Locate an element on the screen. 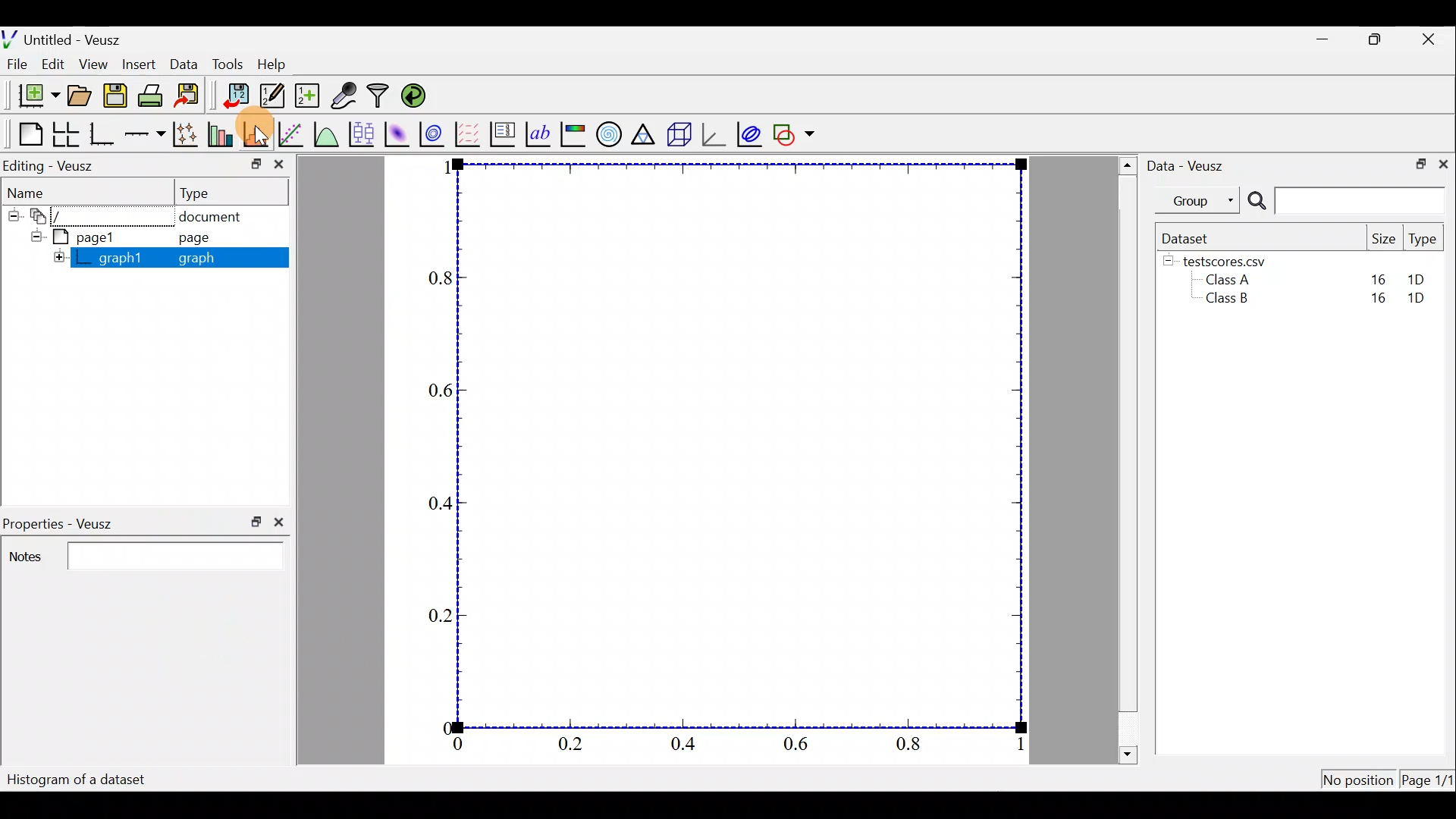  Editing - Veusz is located at coordinates (56, 165).